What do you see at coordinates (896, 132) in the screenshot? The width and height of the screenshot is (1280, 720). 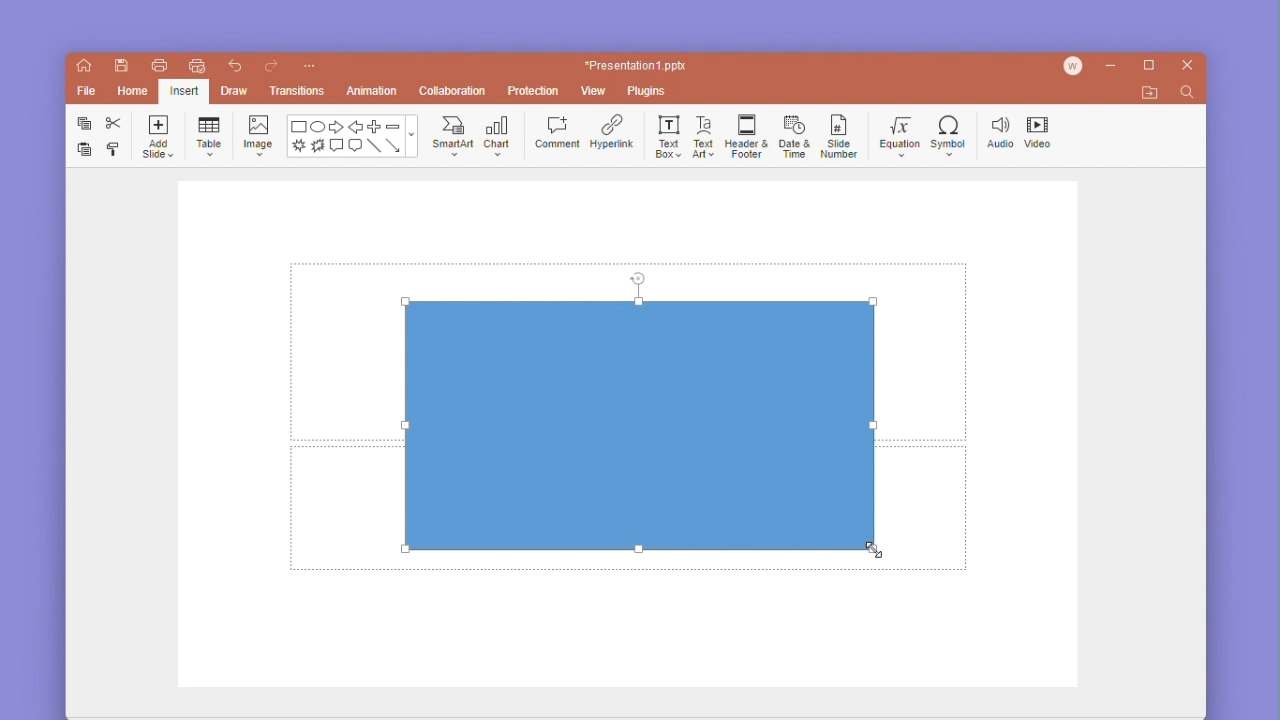 I see `equation` at bounding box center [896, 132].